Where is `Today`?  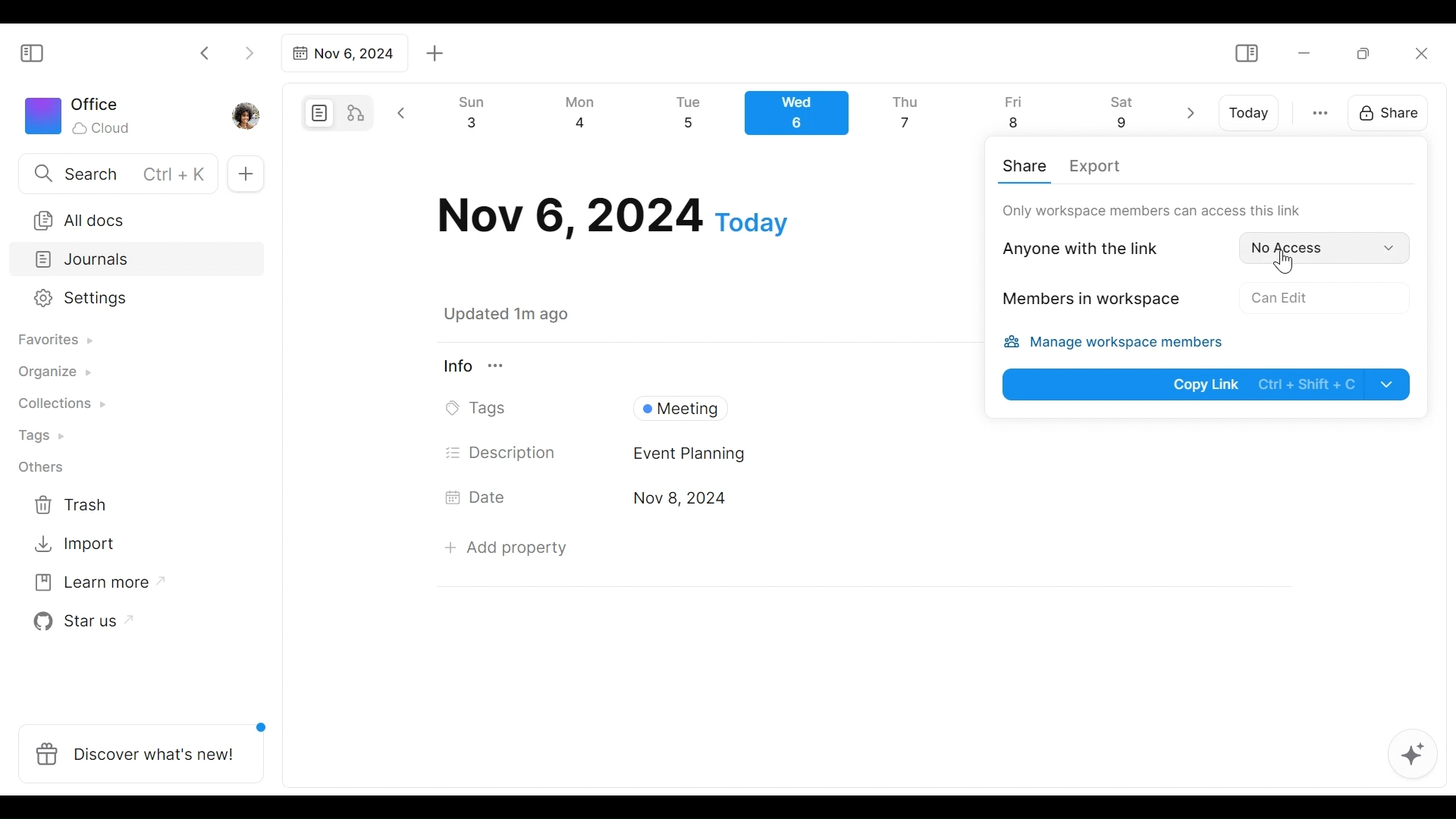
Today is located at coordinates (1250, 113).